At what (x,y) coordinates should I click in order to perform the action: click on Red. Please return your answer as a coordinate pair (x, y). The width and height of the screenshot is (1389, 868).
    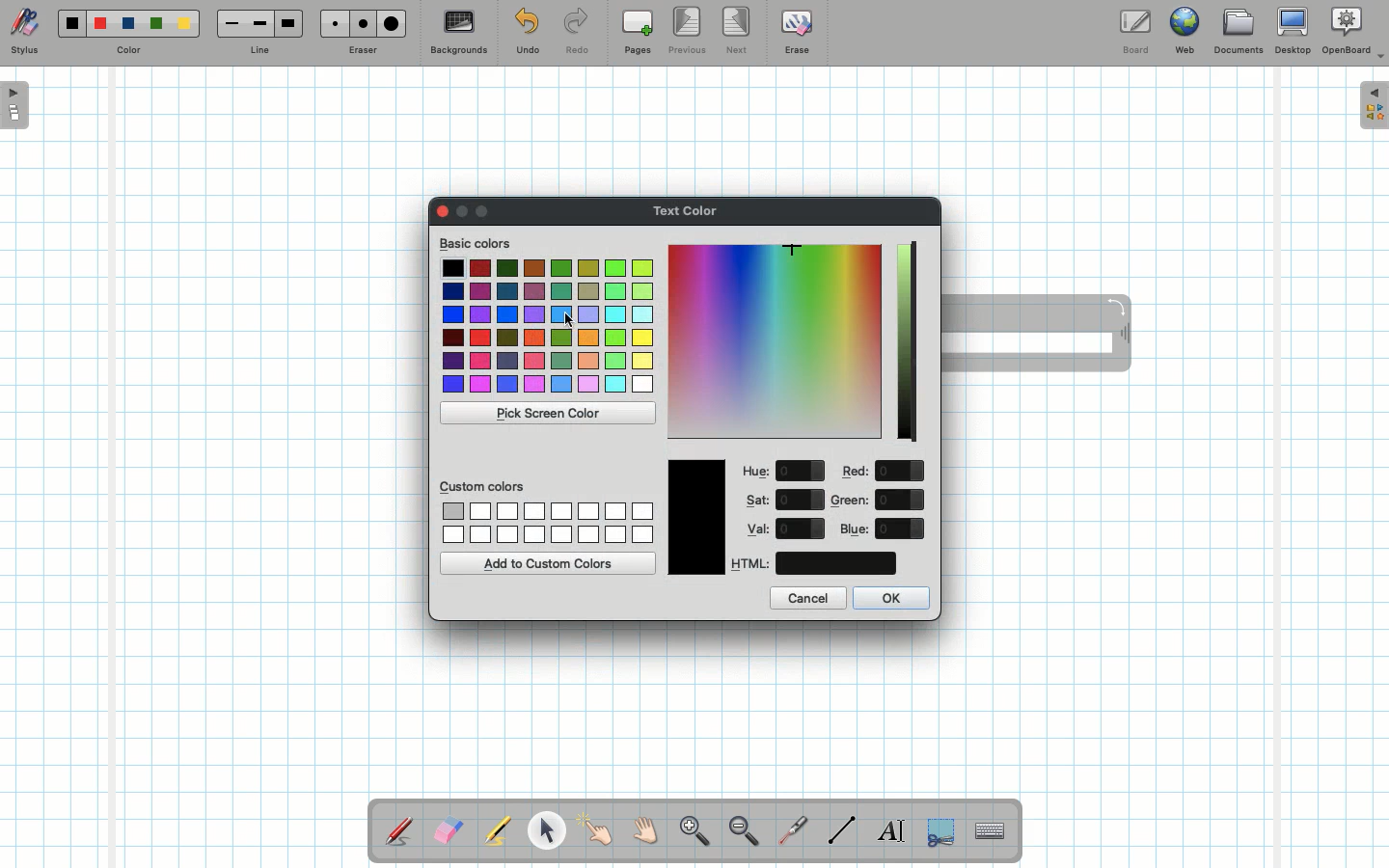
    Looking at the image, I should click on (101, 24).